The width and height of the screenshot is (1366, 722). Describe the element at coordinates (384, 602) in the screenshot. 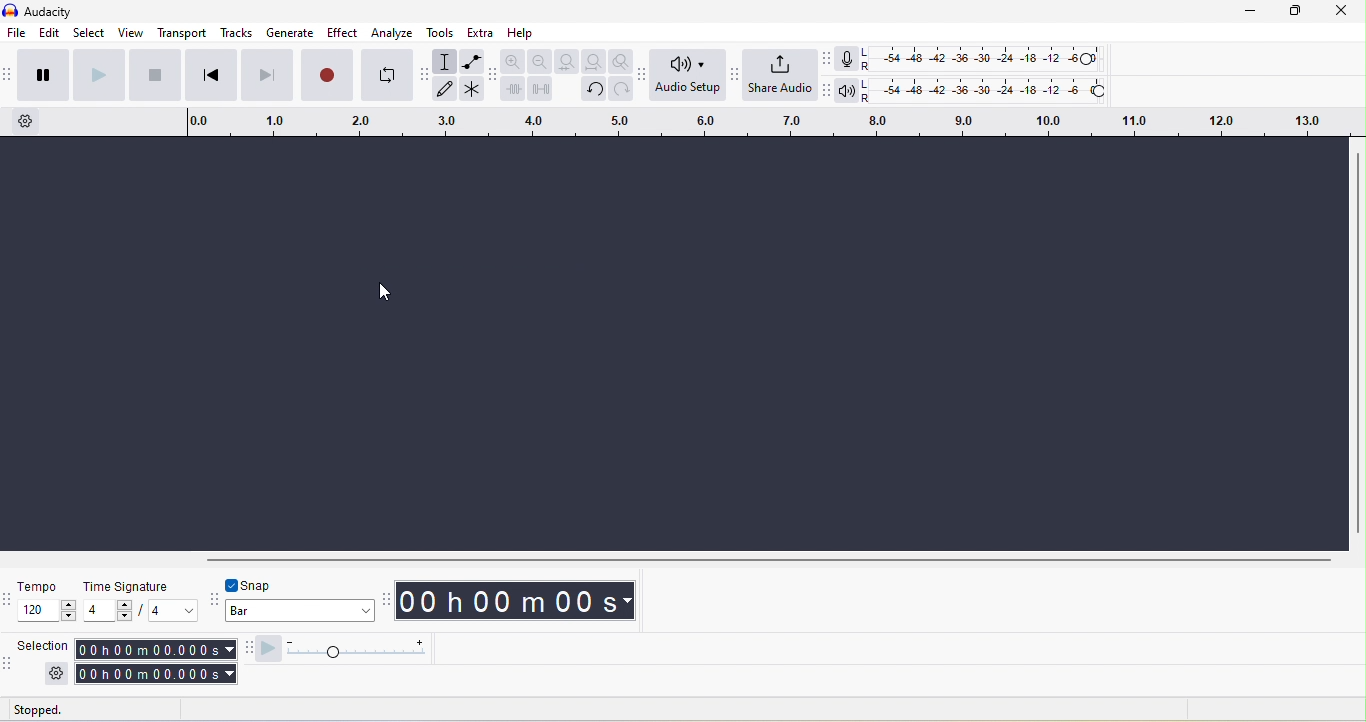

I see `audacity time toolbar` at that location.